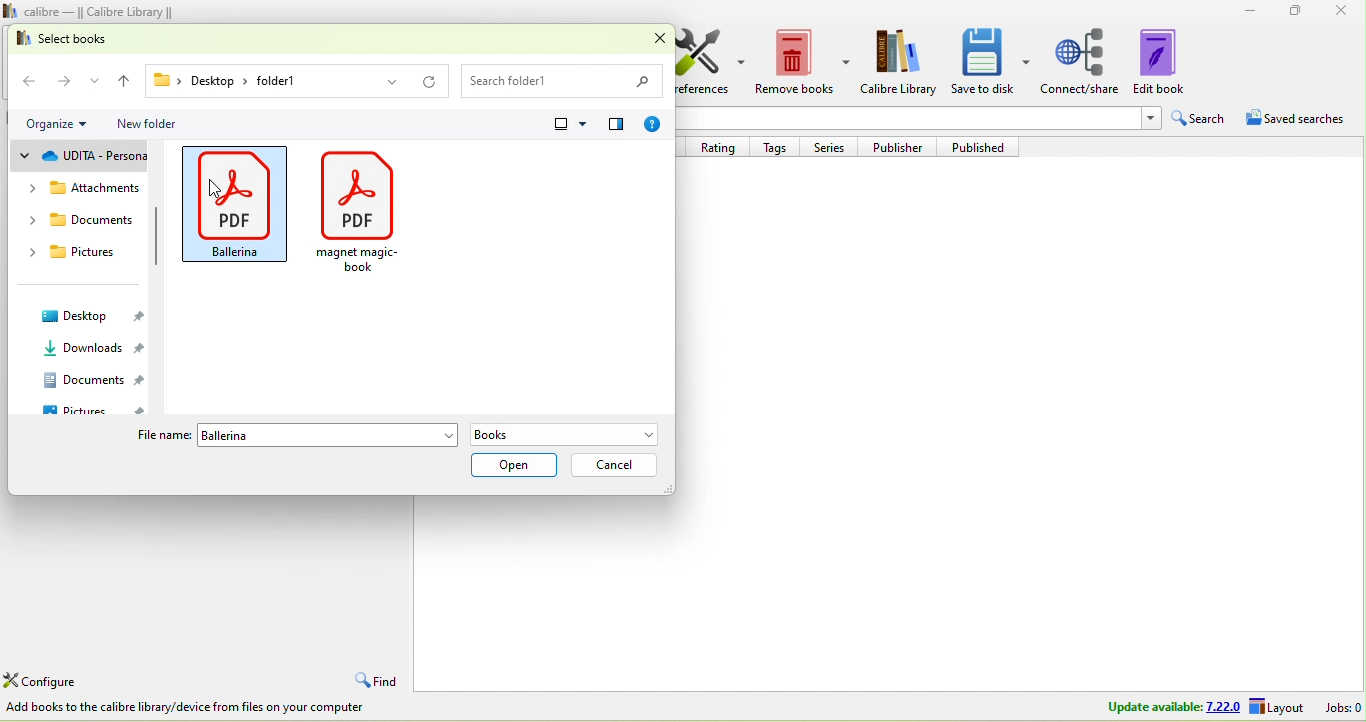  I want to click on layout, so click(1279, 707).